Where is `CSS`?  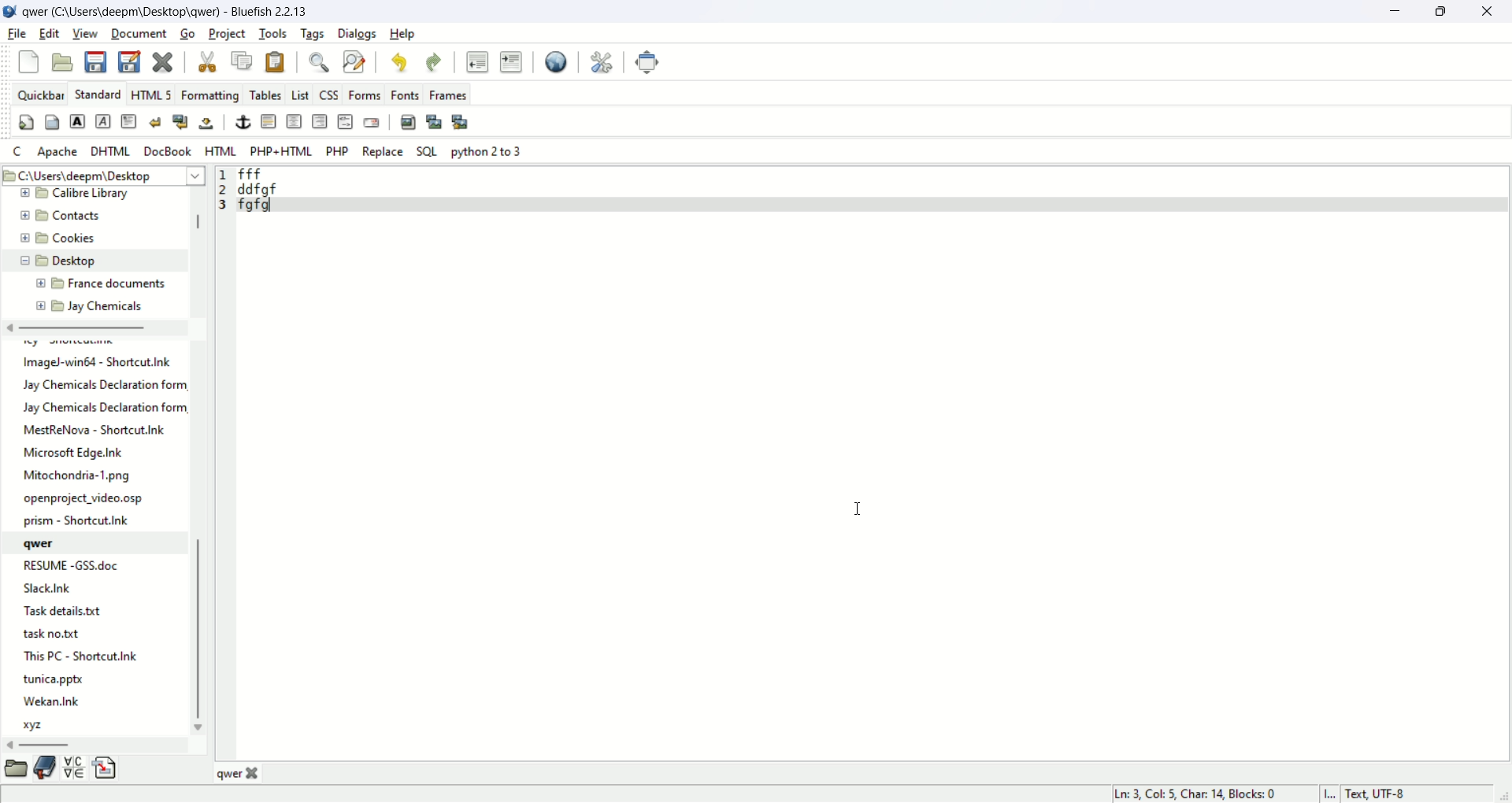 CSS is located at coordinates (328, 94).